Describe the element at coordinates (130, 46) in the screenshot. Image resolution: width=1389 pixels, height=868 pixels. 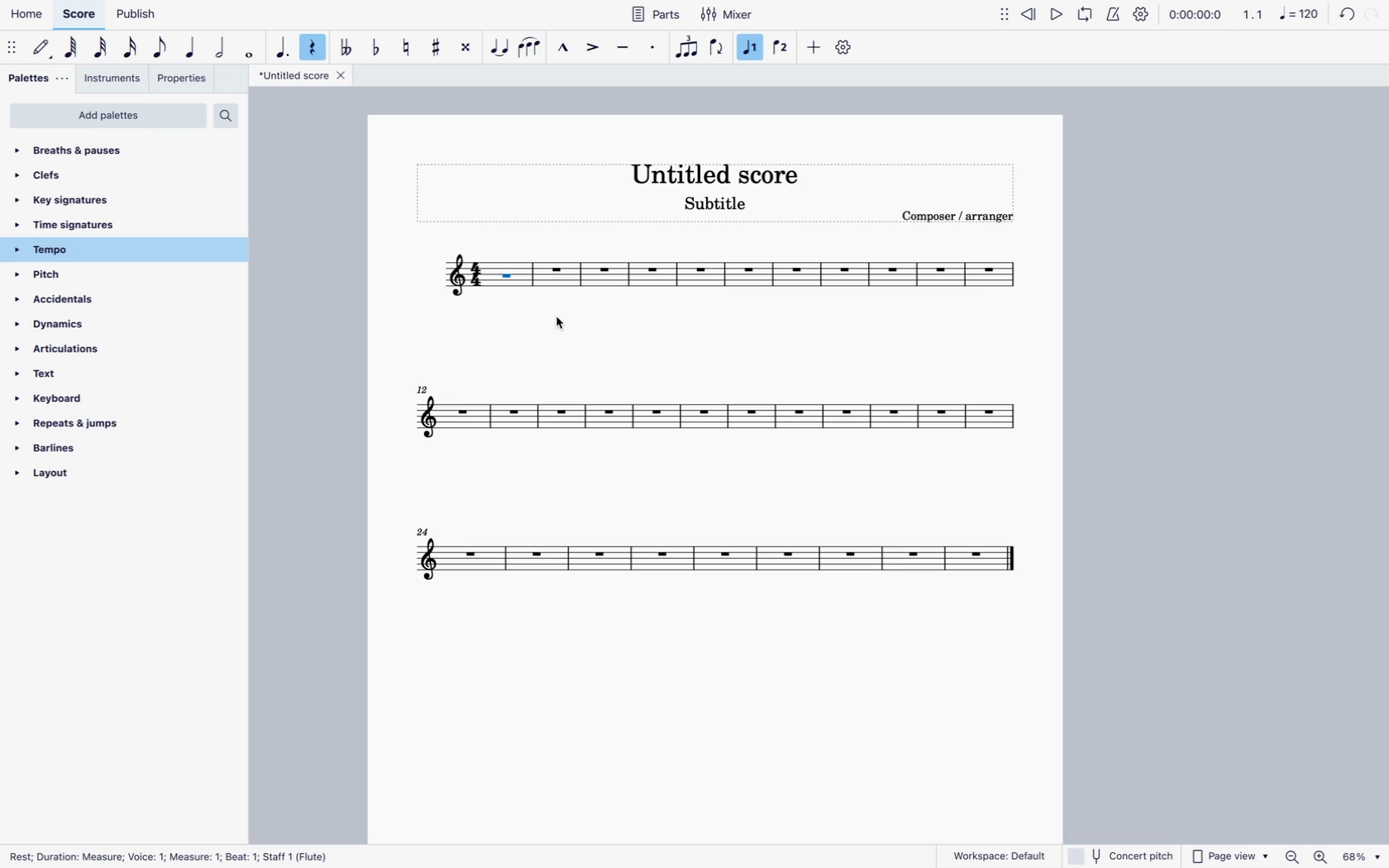
I see `16th note` at that location.